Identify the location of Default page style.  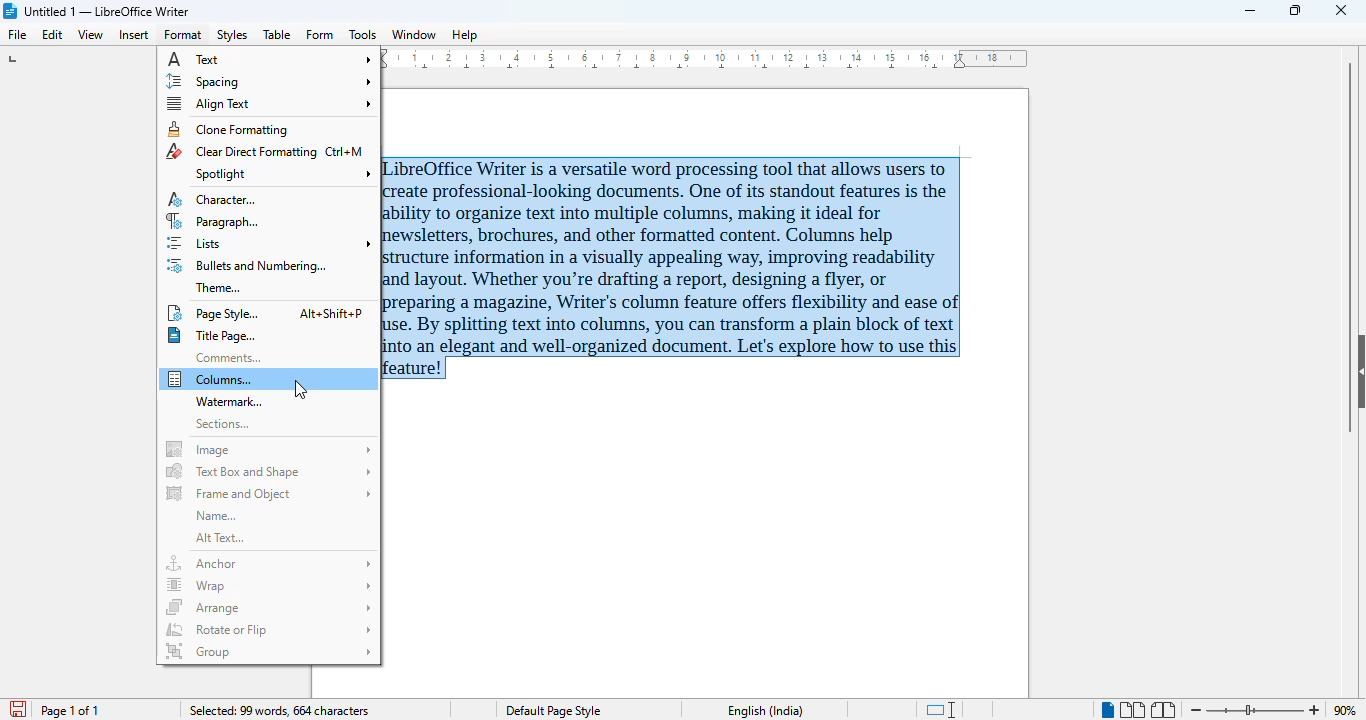
(557, 711).